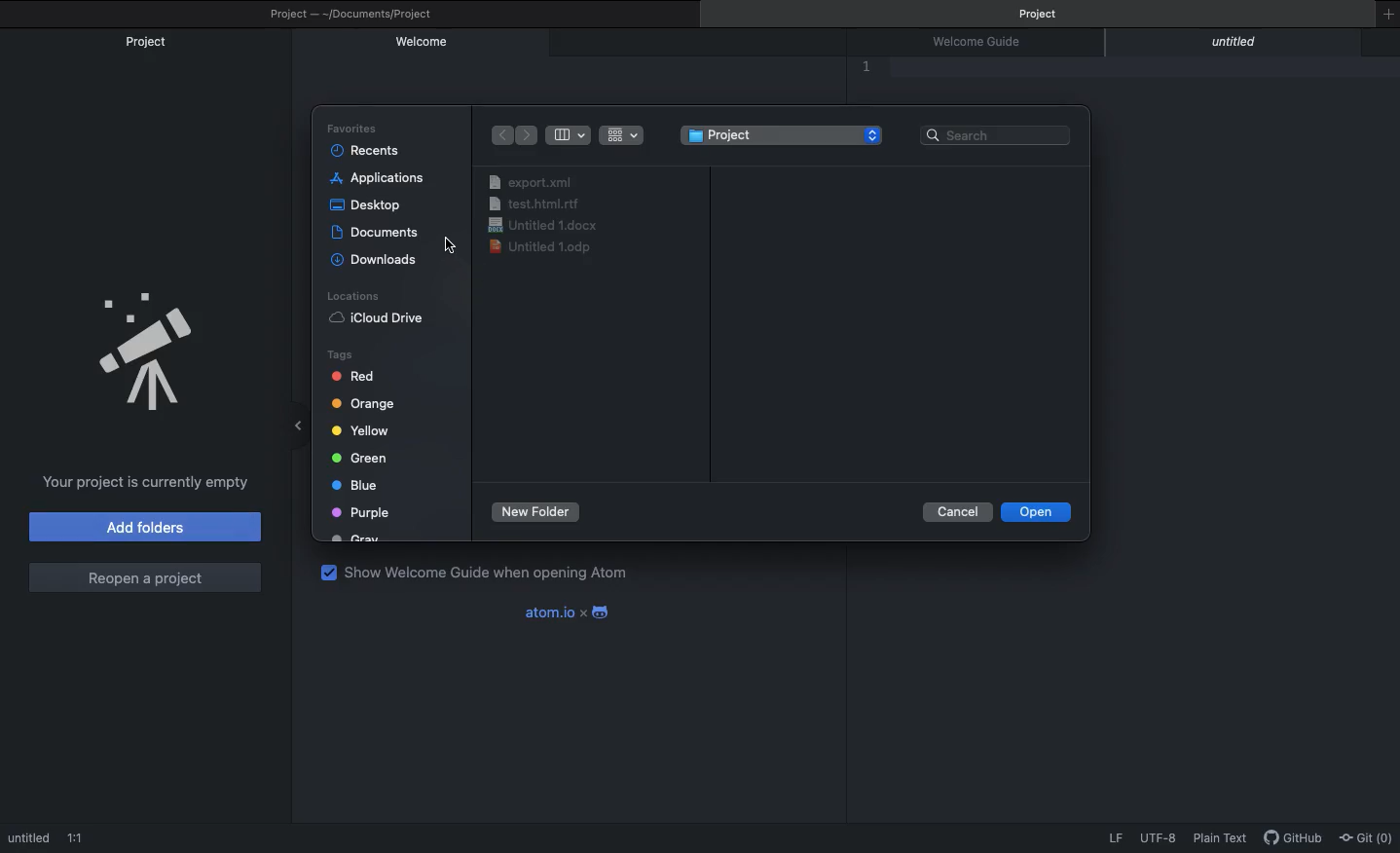 This screenshot has width=1400, height=853. What do you see at coordinates (353, 15) in the screenshot?
I see `Project` at bounding box center [353, 15].